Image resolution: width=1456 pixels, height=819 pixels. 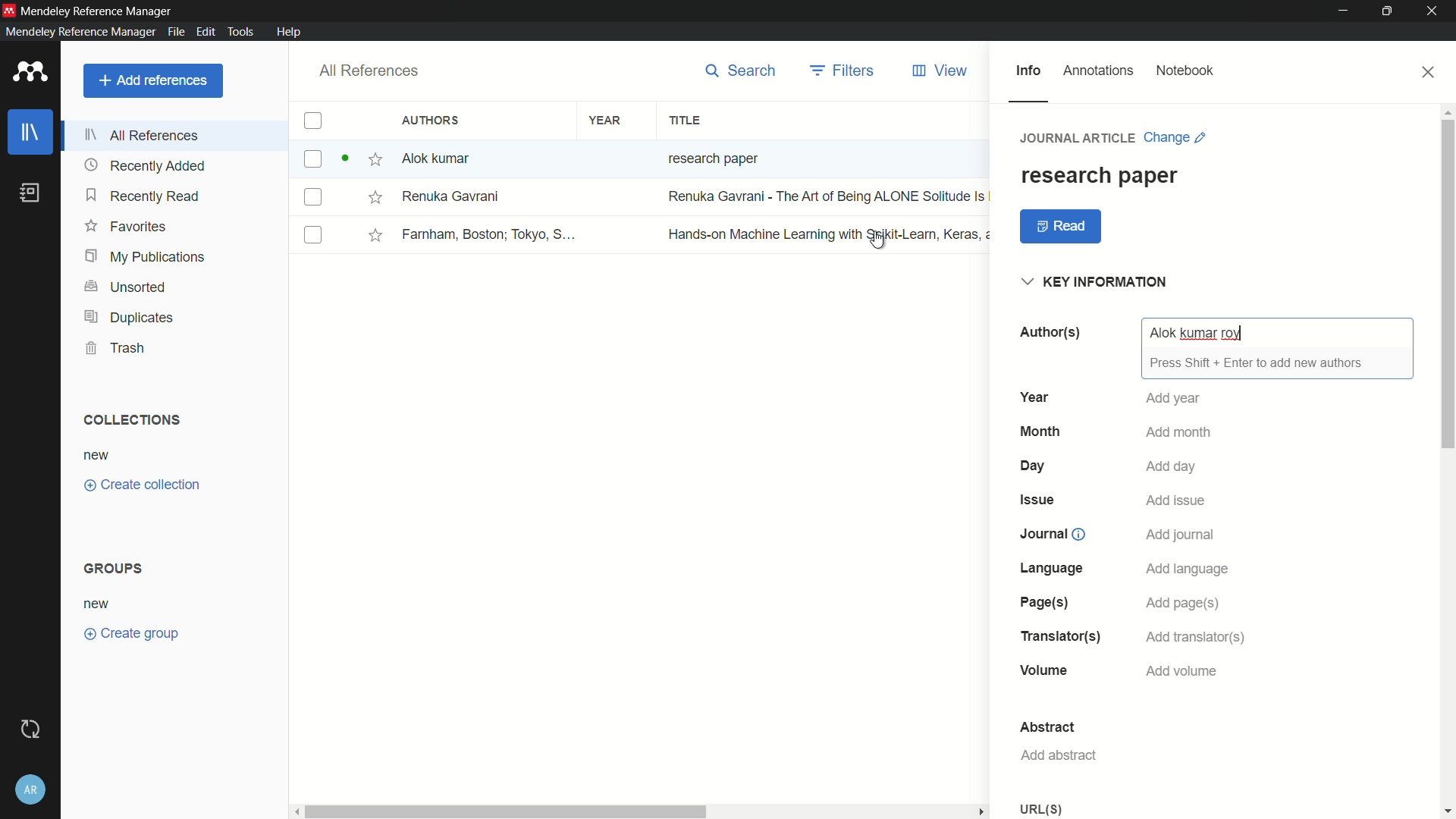 What do you see at coordinates (1181, 535) in the screenshot?
I see `add journal` at bounding box center [1181, 535].